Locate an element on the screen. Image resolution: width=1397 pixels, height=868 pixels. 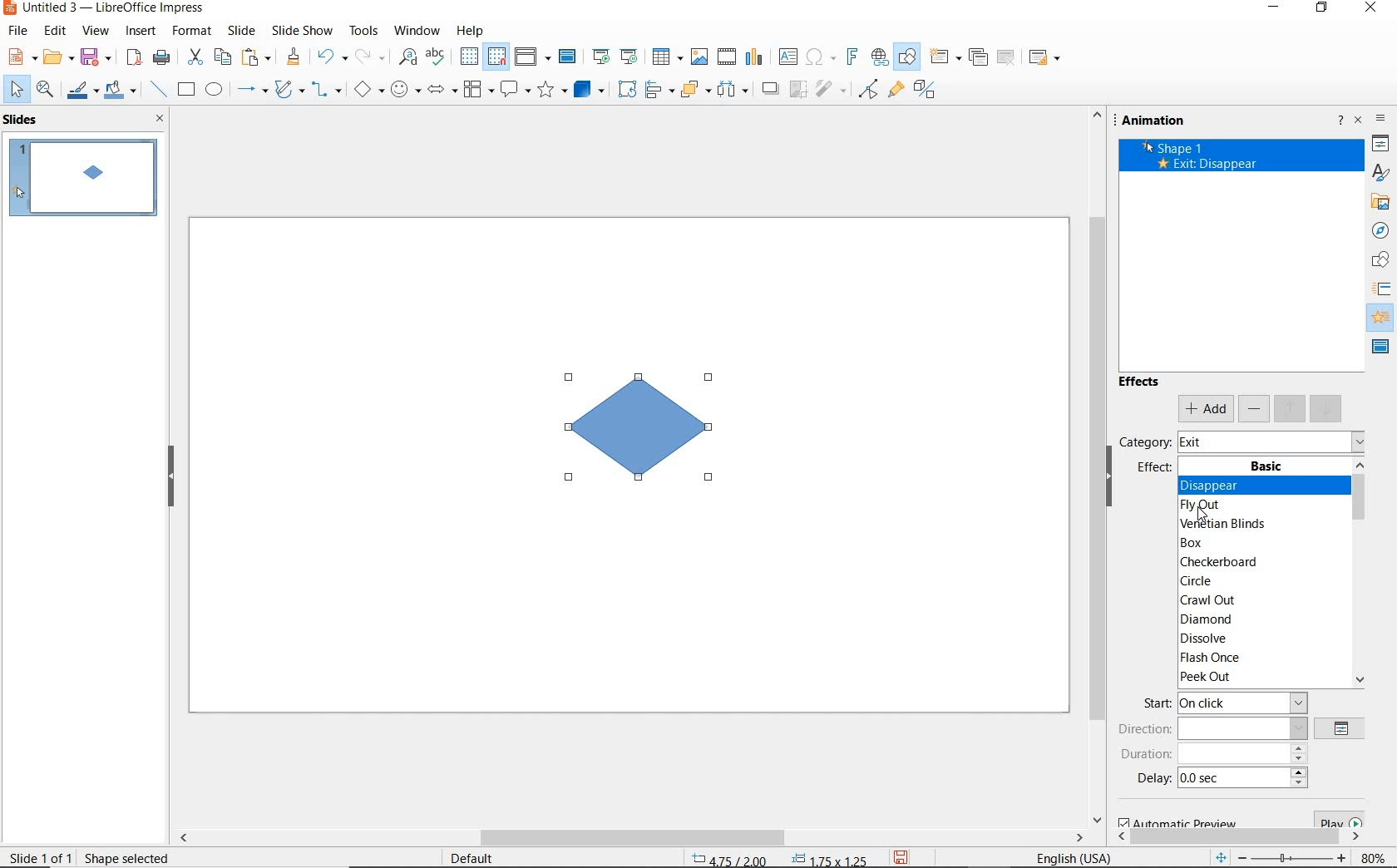
spelling is located at coordinates (439, 57).